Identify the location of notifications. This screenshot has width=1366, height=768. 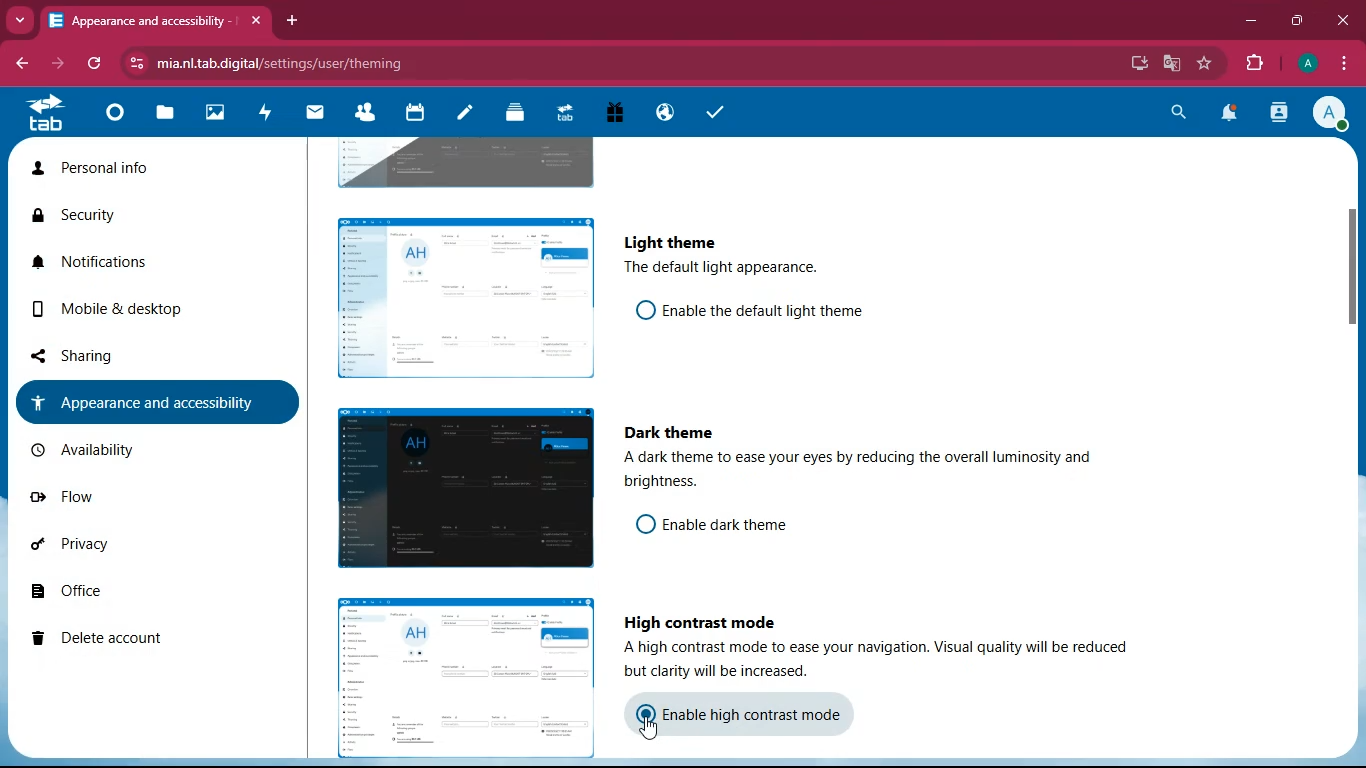
(1234, 115).